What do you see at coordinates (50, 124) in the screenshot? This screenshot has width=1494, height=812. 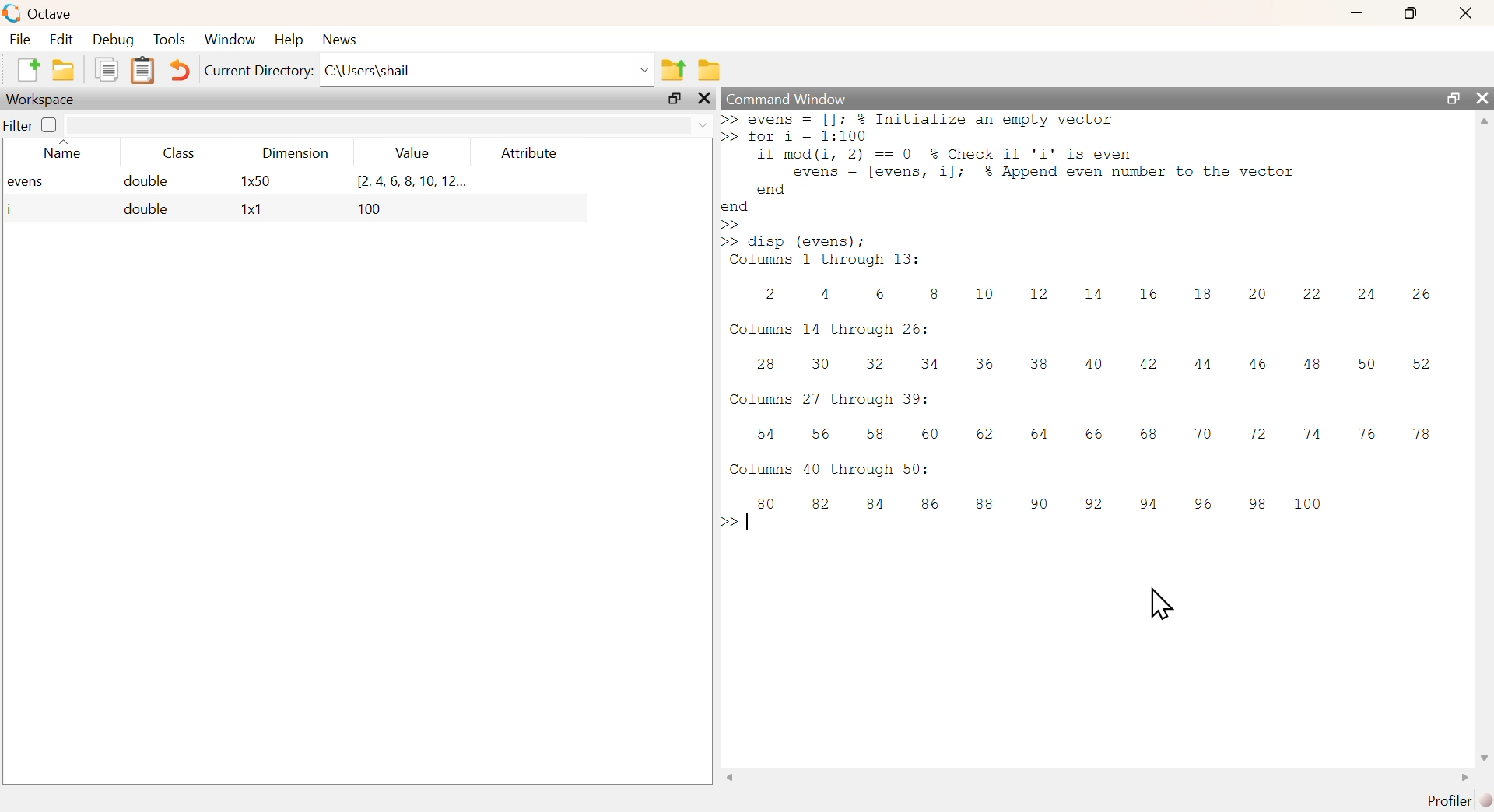 I see `off` at bounding box center [50, 124].